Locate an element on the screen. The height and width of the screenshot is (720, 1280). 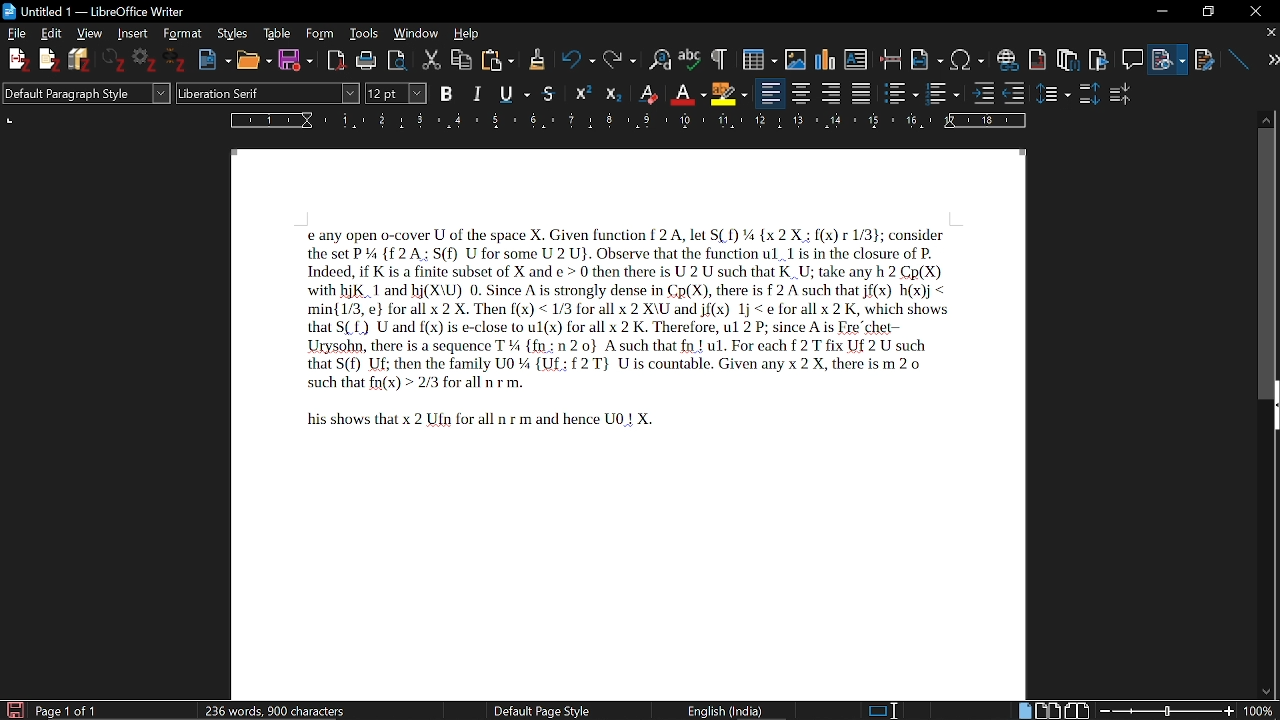
 is located at coordinates (585, 92).